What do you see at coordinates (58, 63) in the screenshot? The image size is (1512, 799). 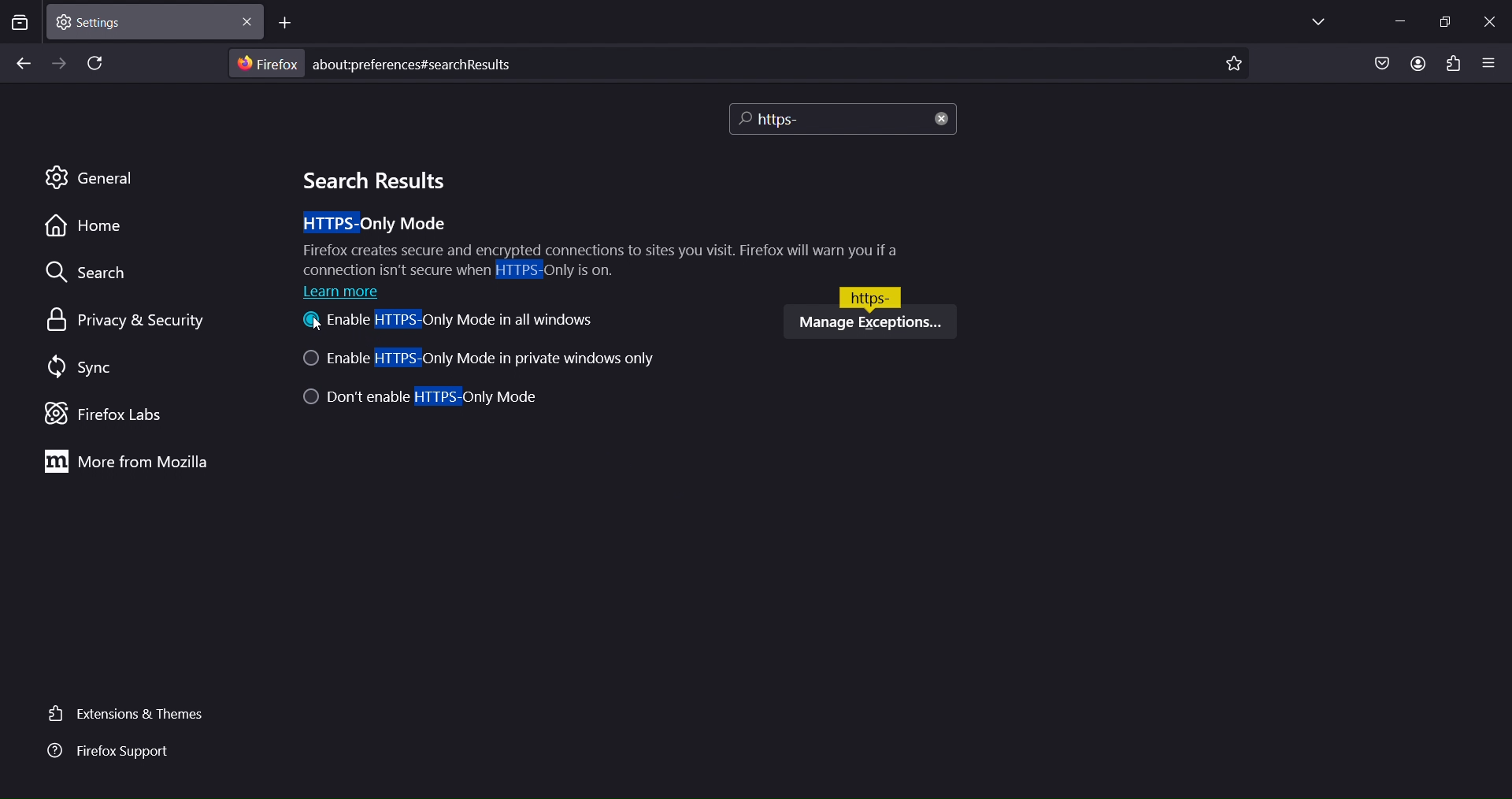 I see `go forward one page` at bounding box center [58, 63].